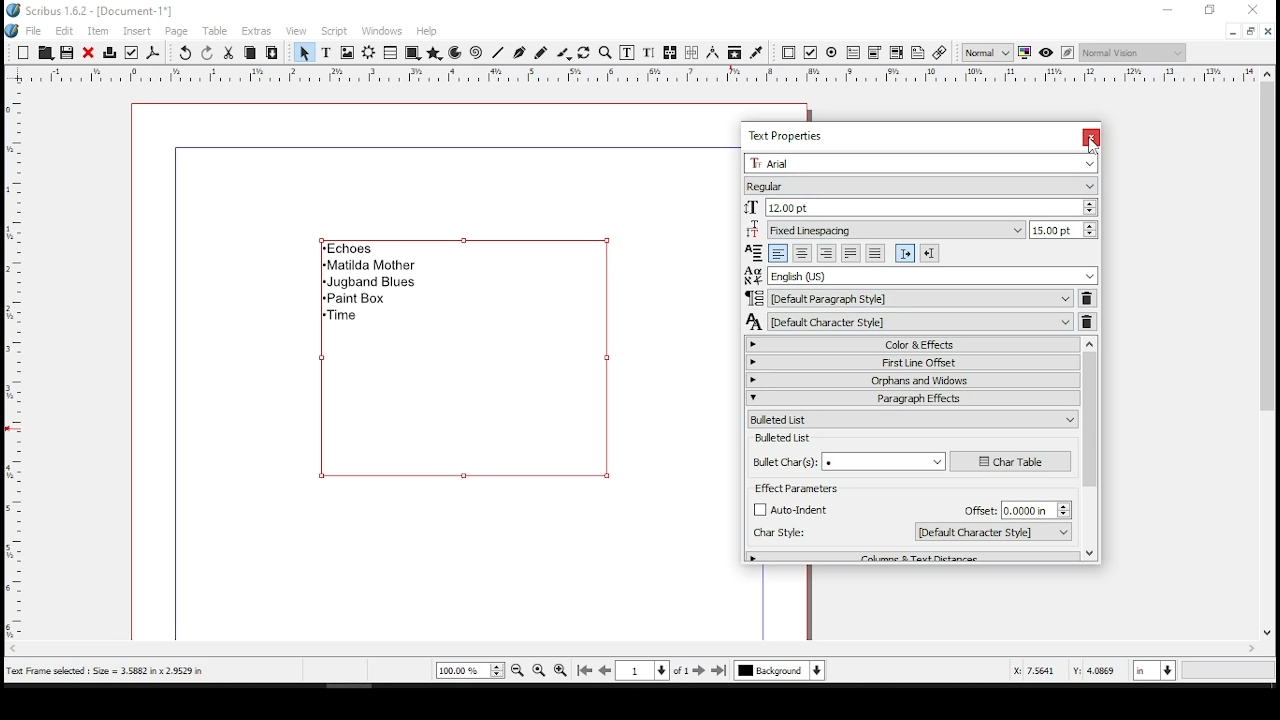  I want to click on last page, so click(720, 670).